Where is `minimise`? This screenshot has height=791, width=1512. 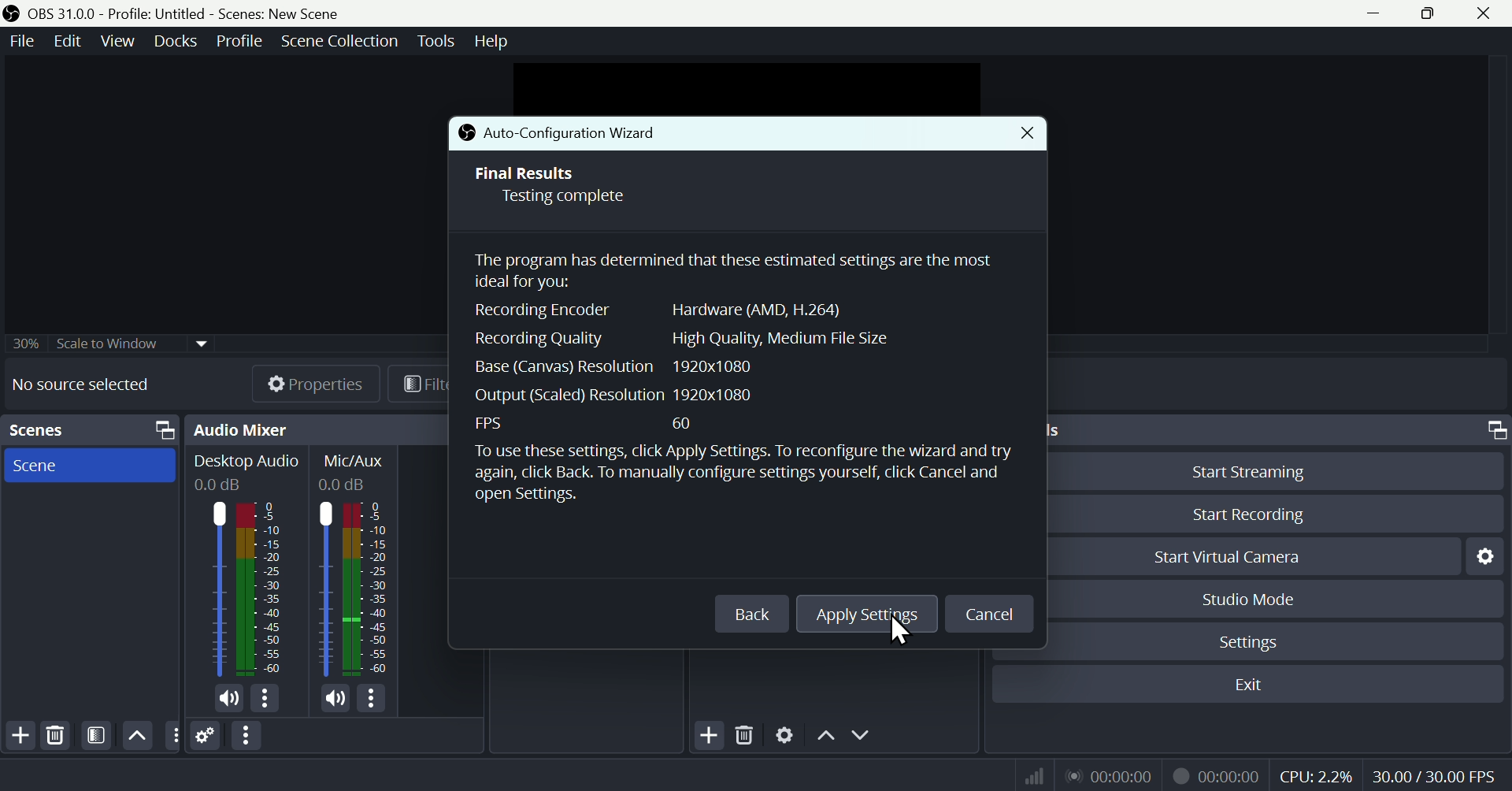 minimise is located at coordinates (1369, 13).